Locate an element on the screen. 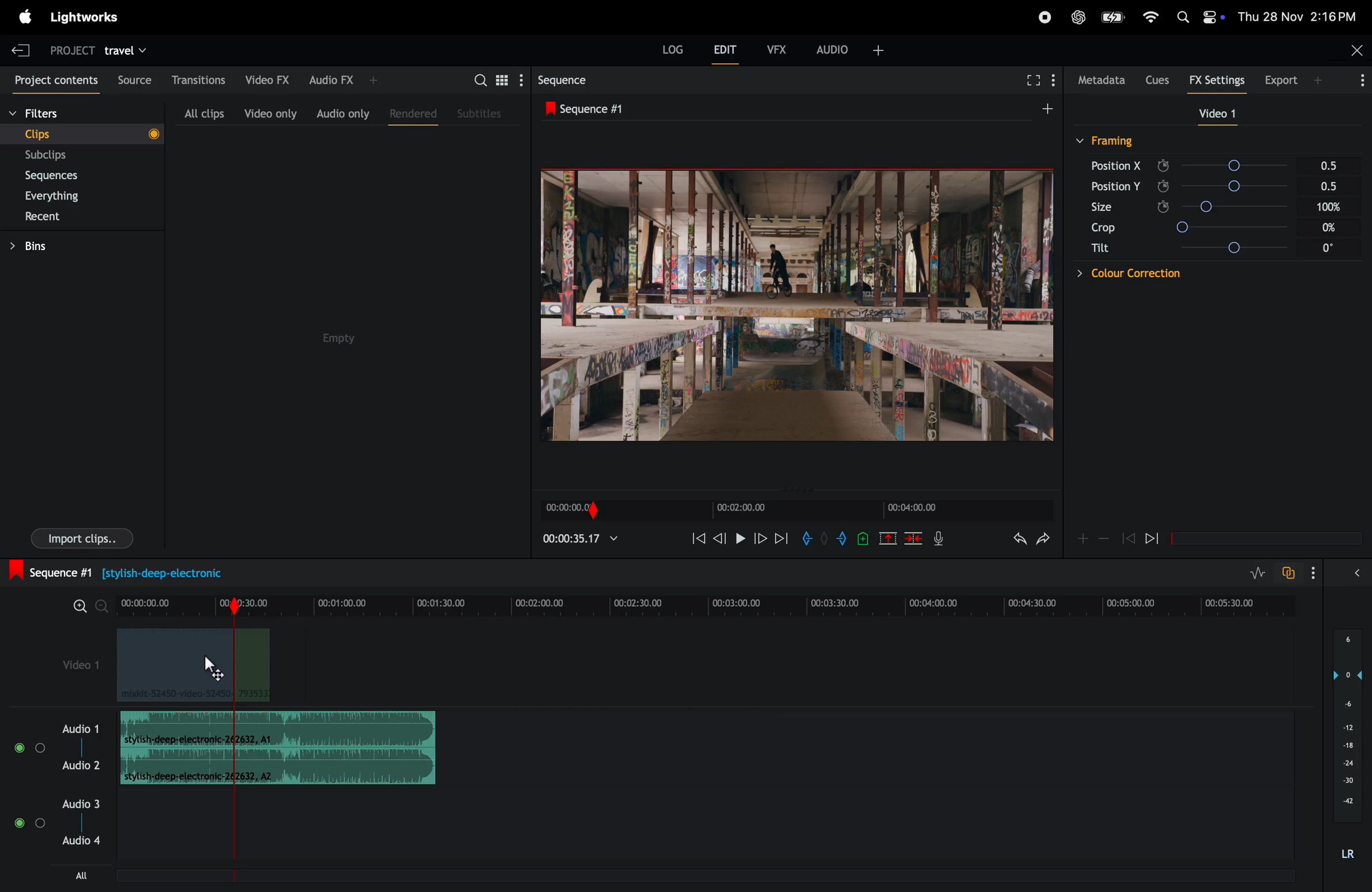  position X is located at coordinates (1117, 165).